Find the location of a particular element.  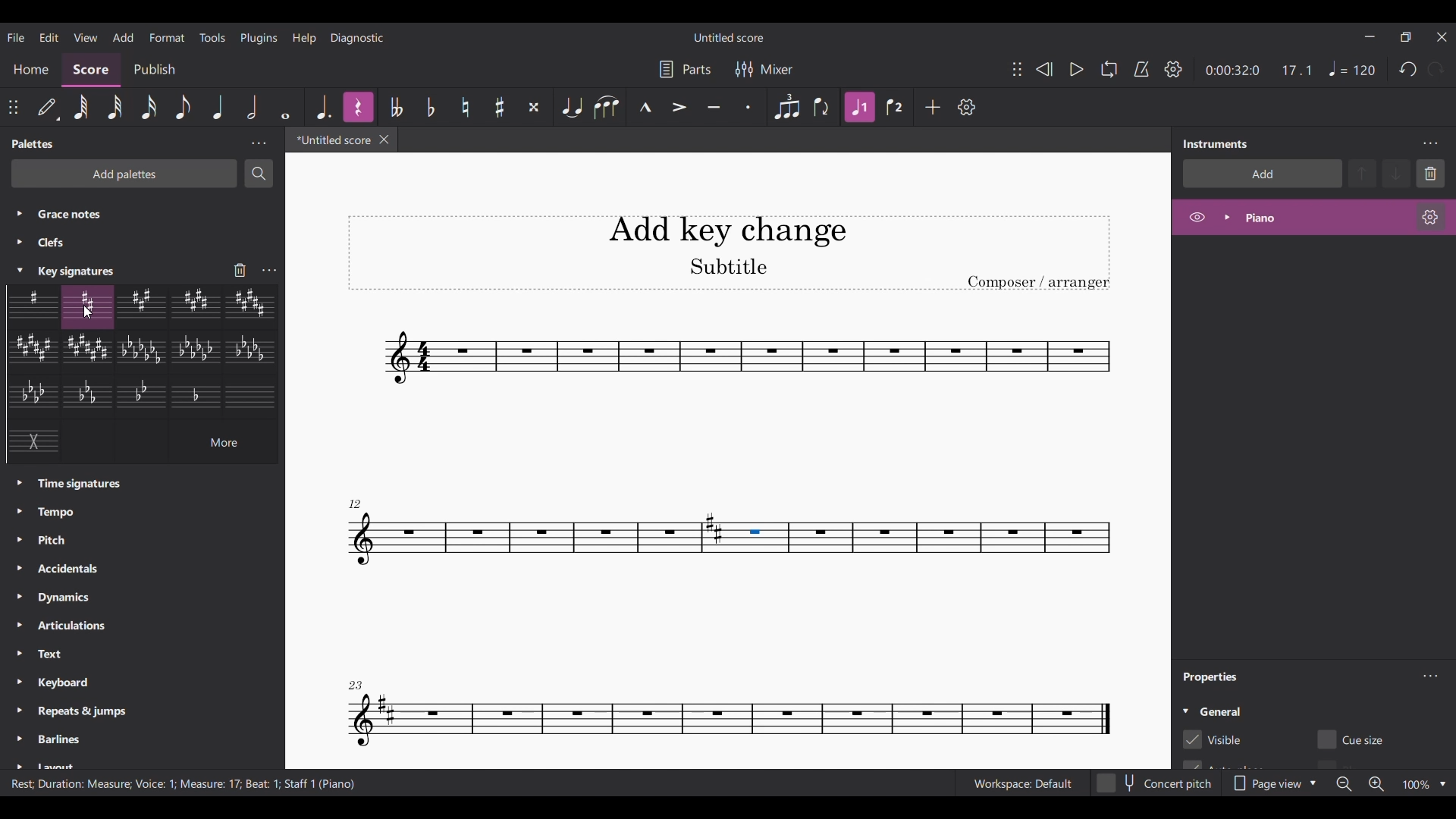

Publish section is located at coordinates (155, 70).